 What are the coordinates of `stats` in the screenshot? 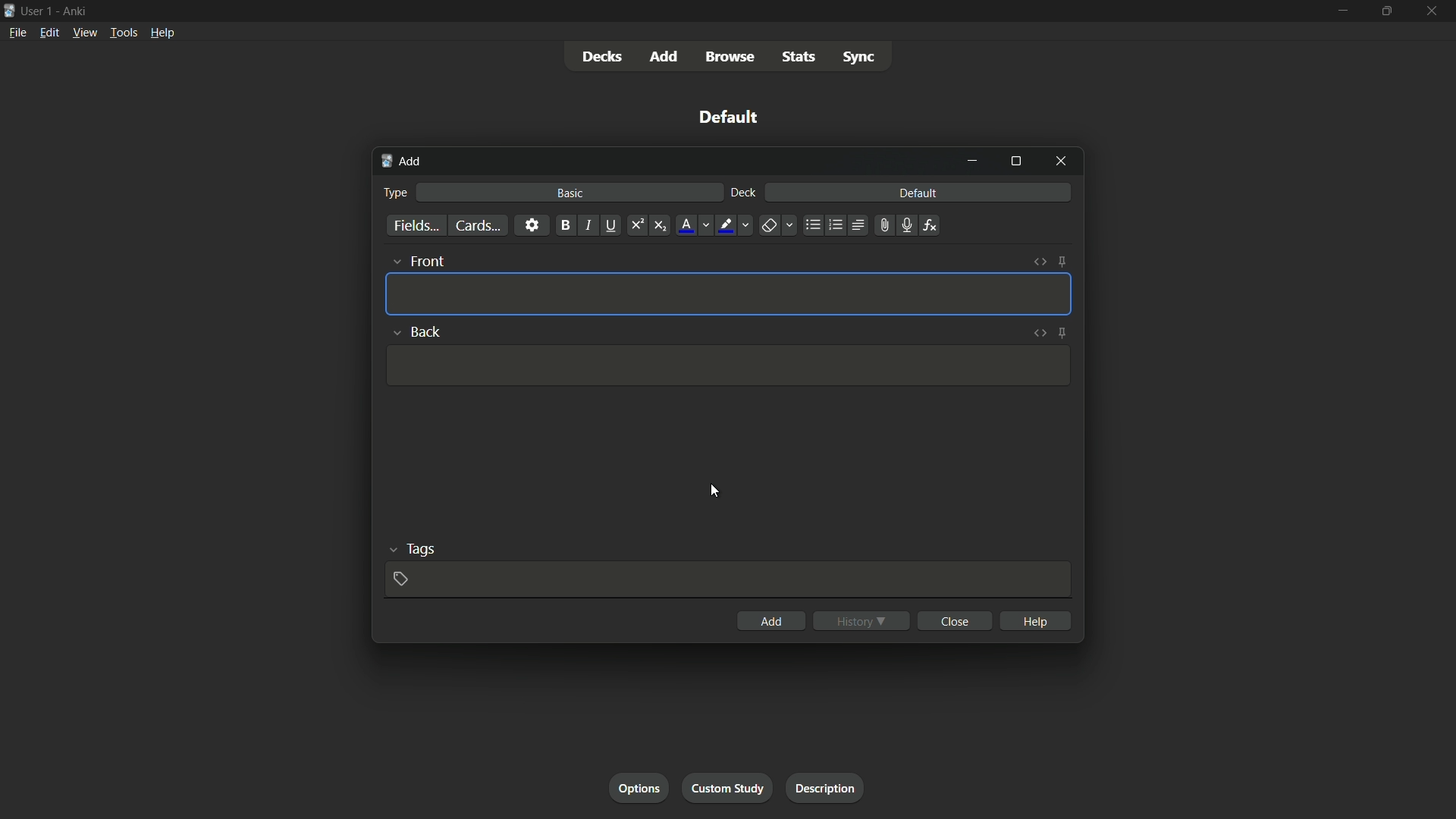 It's located at (799, 58).